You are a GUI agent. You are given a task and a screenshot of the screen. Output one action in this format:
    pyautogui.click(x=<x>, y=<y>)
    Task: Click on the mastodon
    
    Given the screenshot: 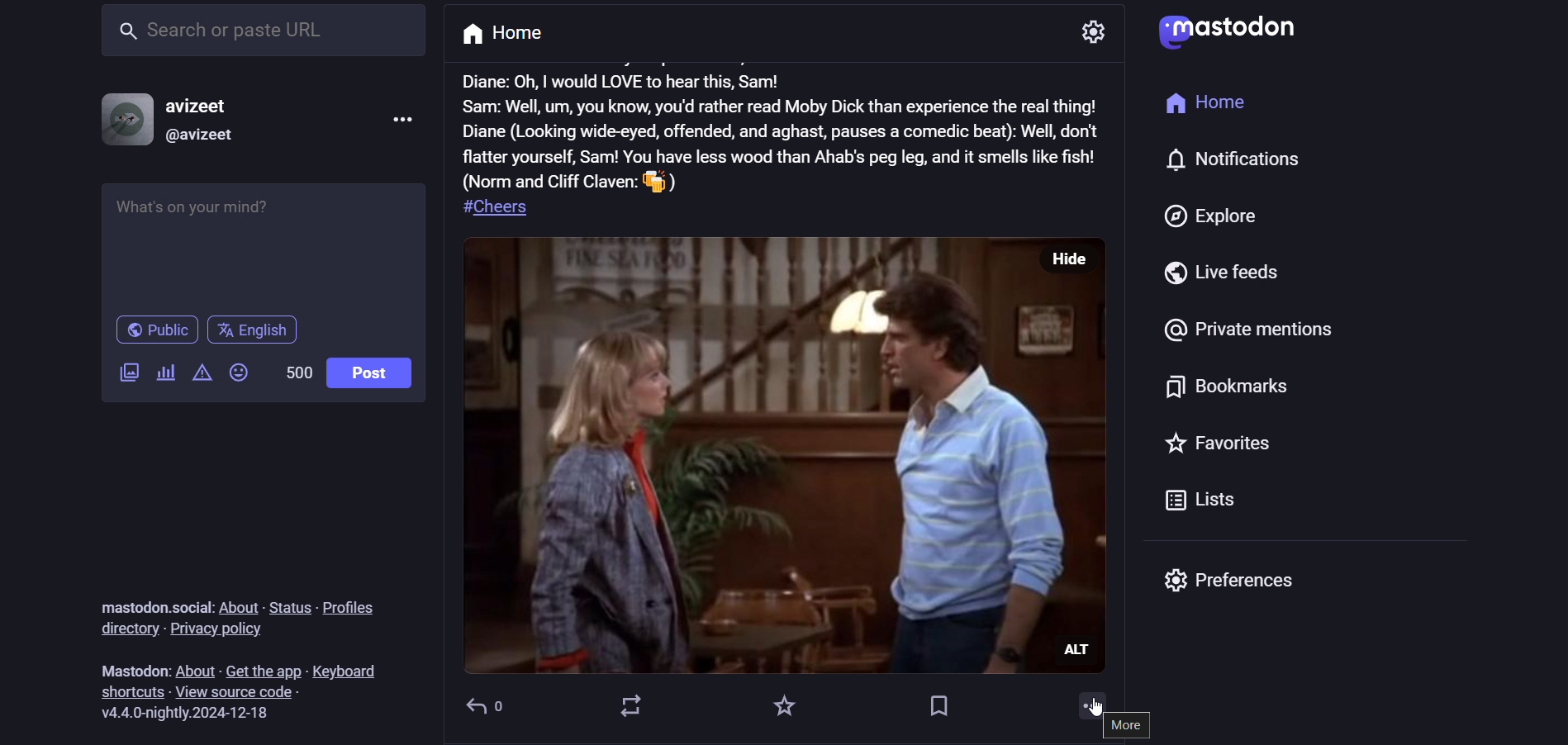 What is the action you would take?
    pyautogui.click(x=128, y=667)
    